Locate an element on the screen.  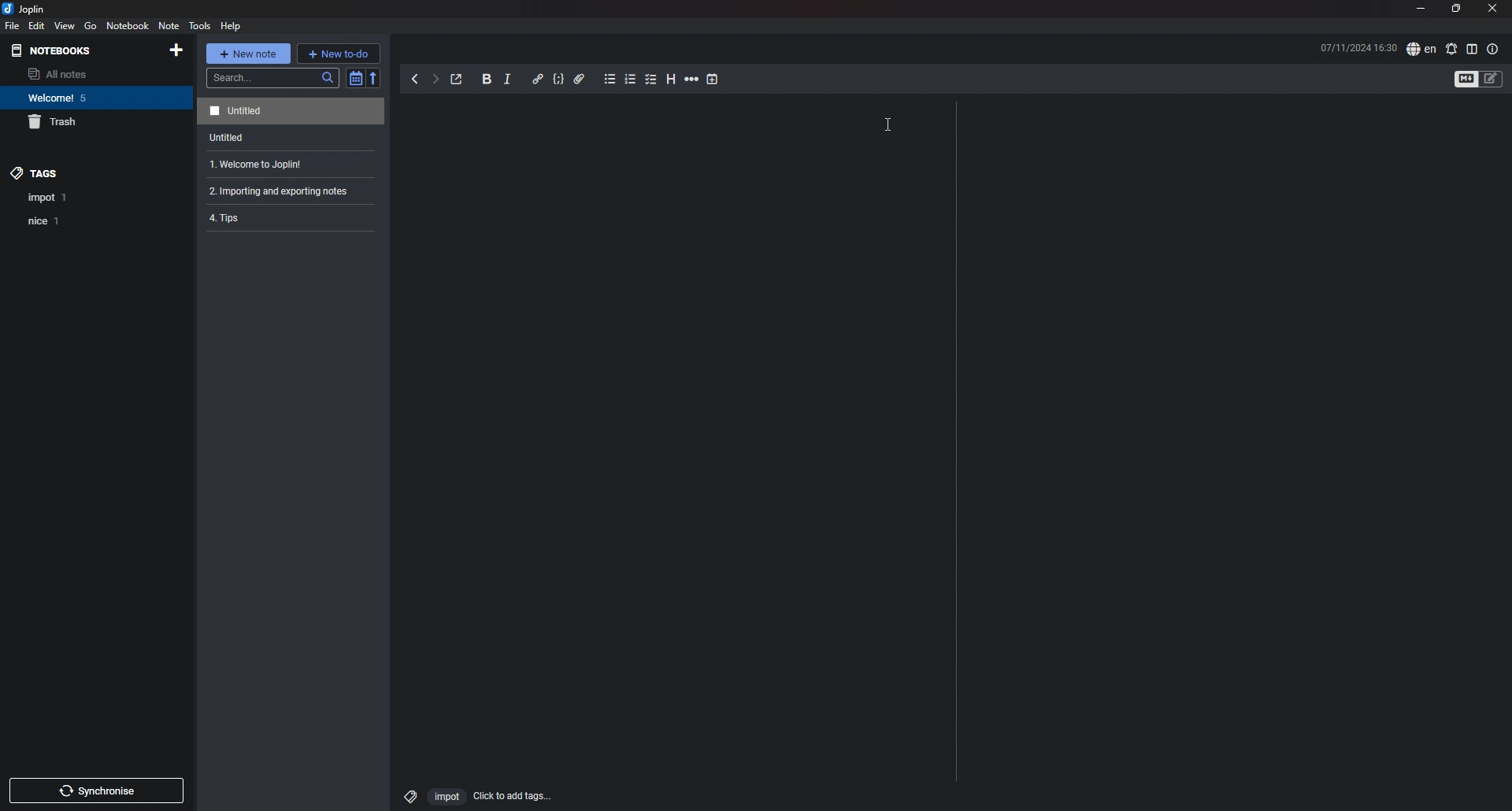
reverse sort order is located at coordinates (375, 77).